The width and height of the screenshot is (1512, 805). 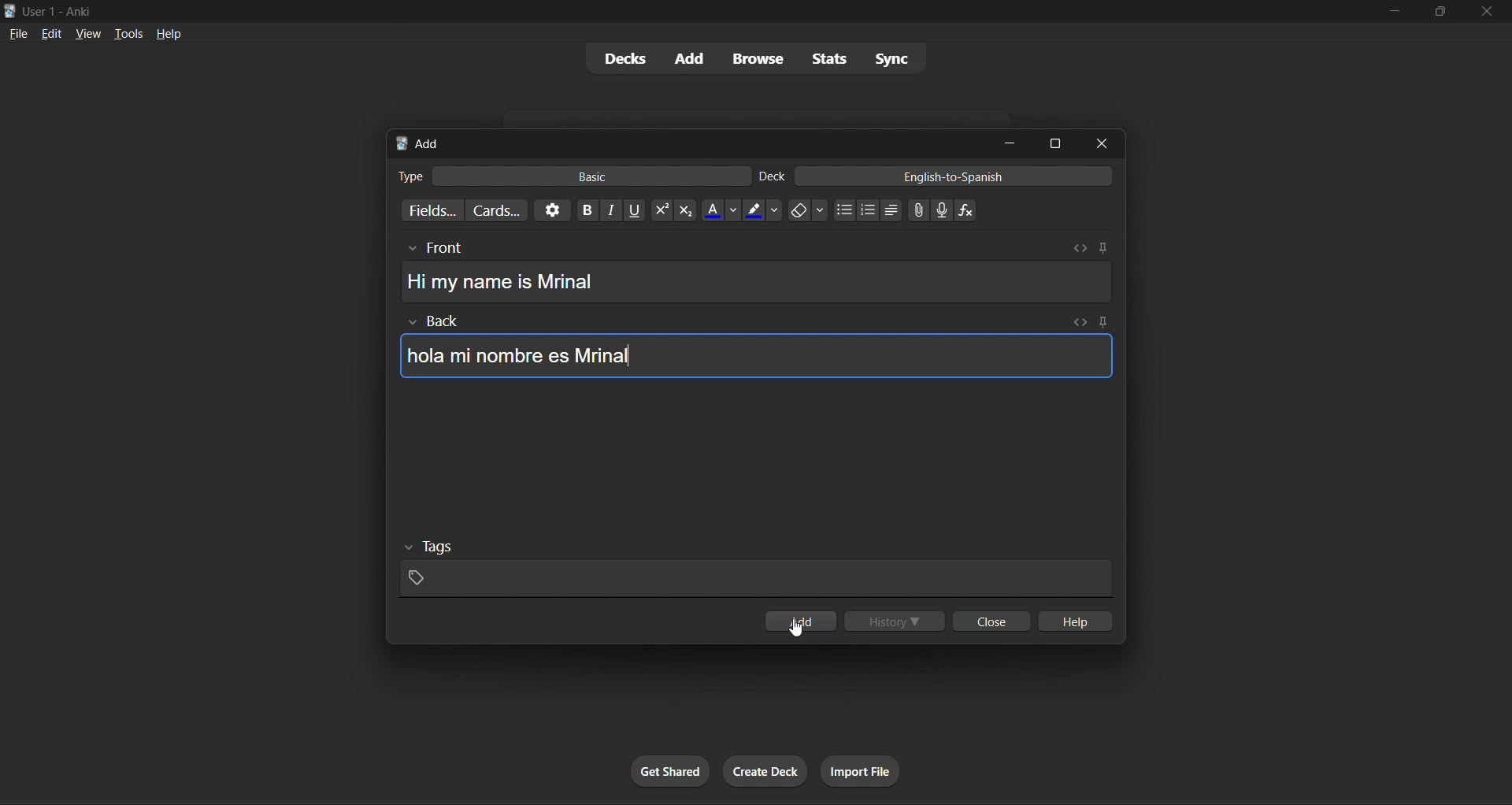 What do you see at coordinates (431, 210) in the screenshot?
I see `customize fields` at bounding box center [431, 210].